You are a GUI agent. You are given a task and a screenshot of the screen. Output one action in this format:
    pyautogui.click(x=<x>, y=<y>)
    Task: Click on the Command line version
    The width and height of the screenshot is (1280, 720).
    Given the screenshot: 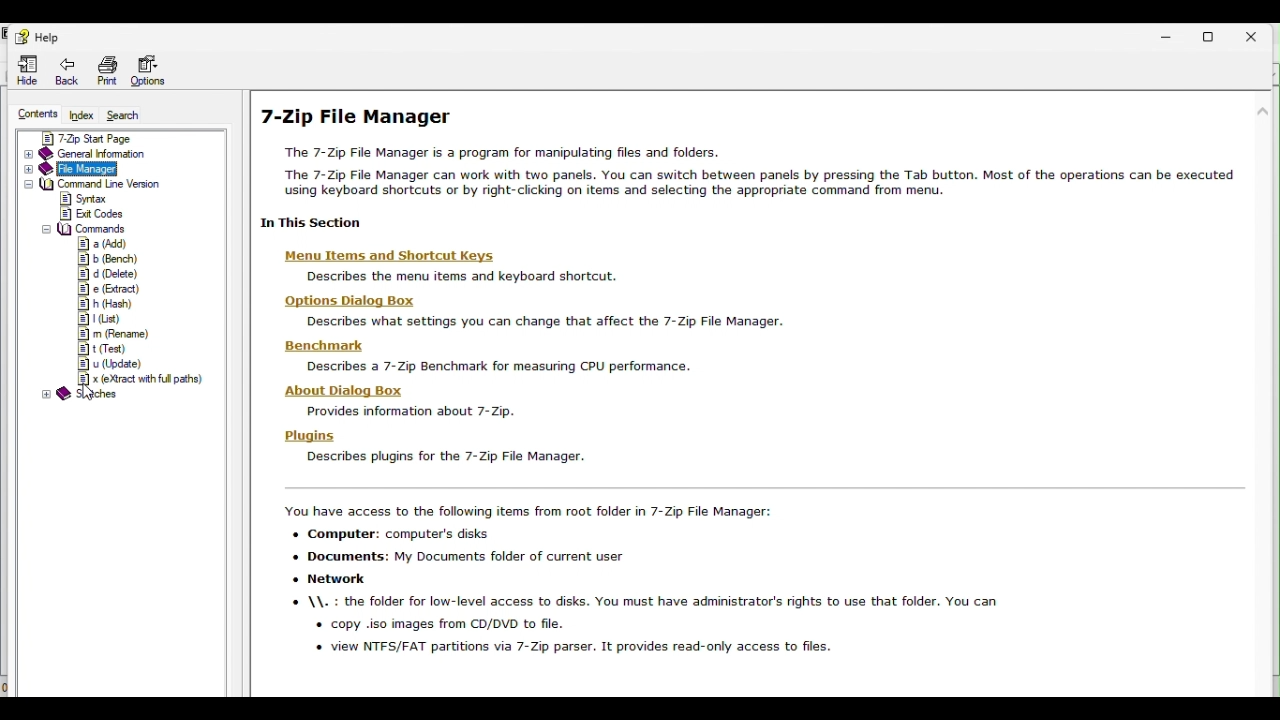 What is the action you would take?
    pyautogui.click(x=106, y=185)
    